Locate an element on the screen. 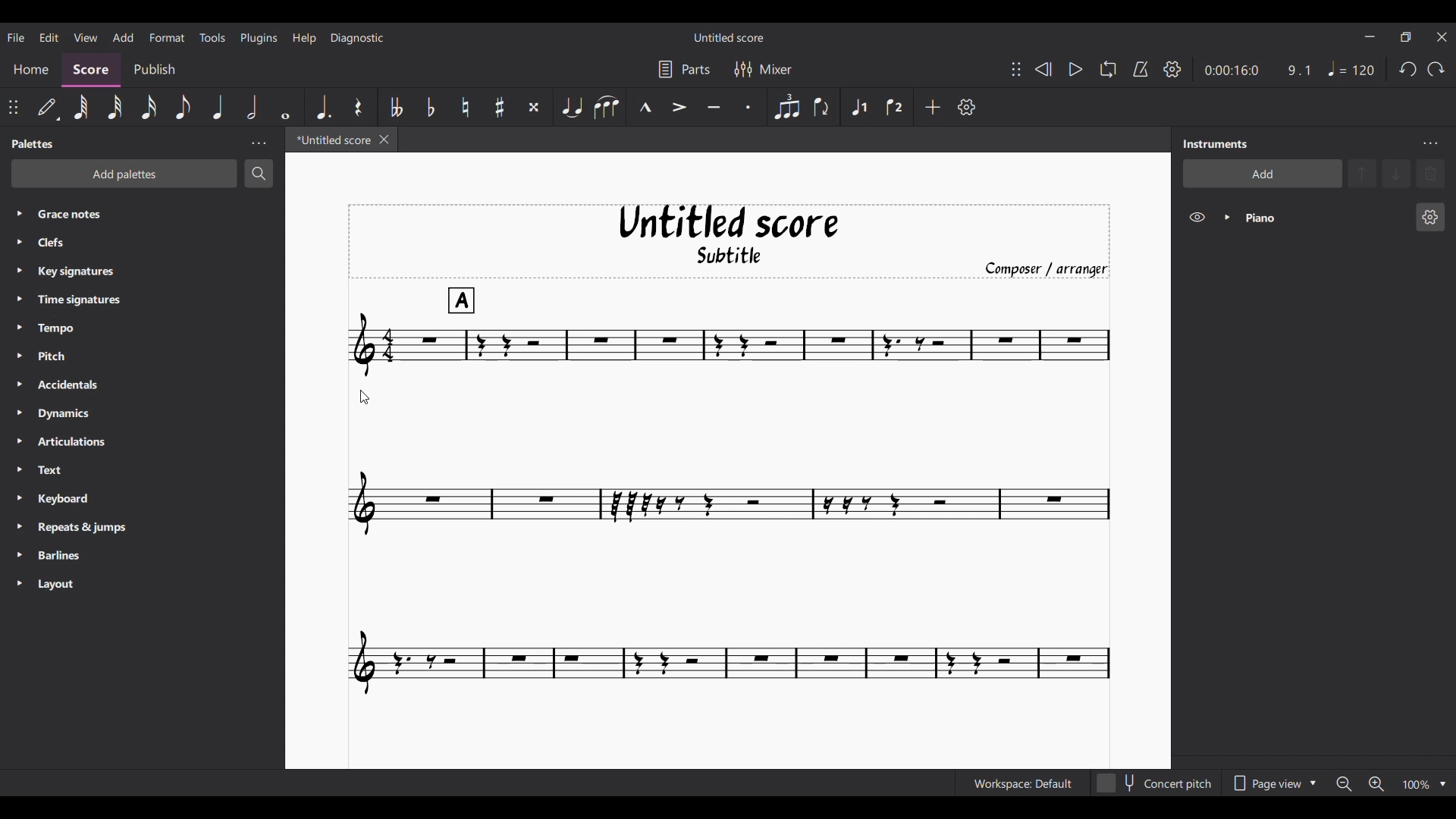  Tools menu is located at coordinates (212, 38).